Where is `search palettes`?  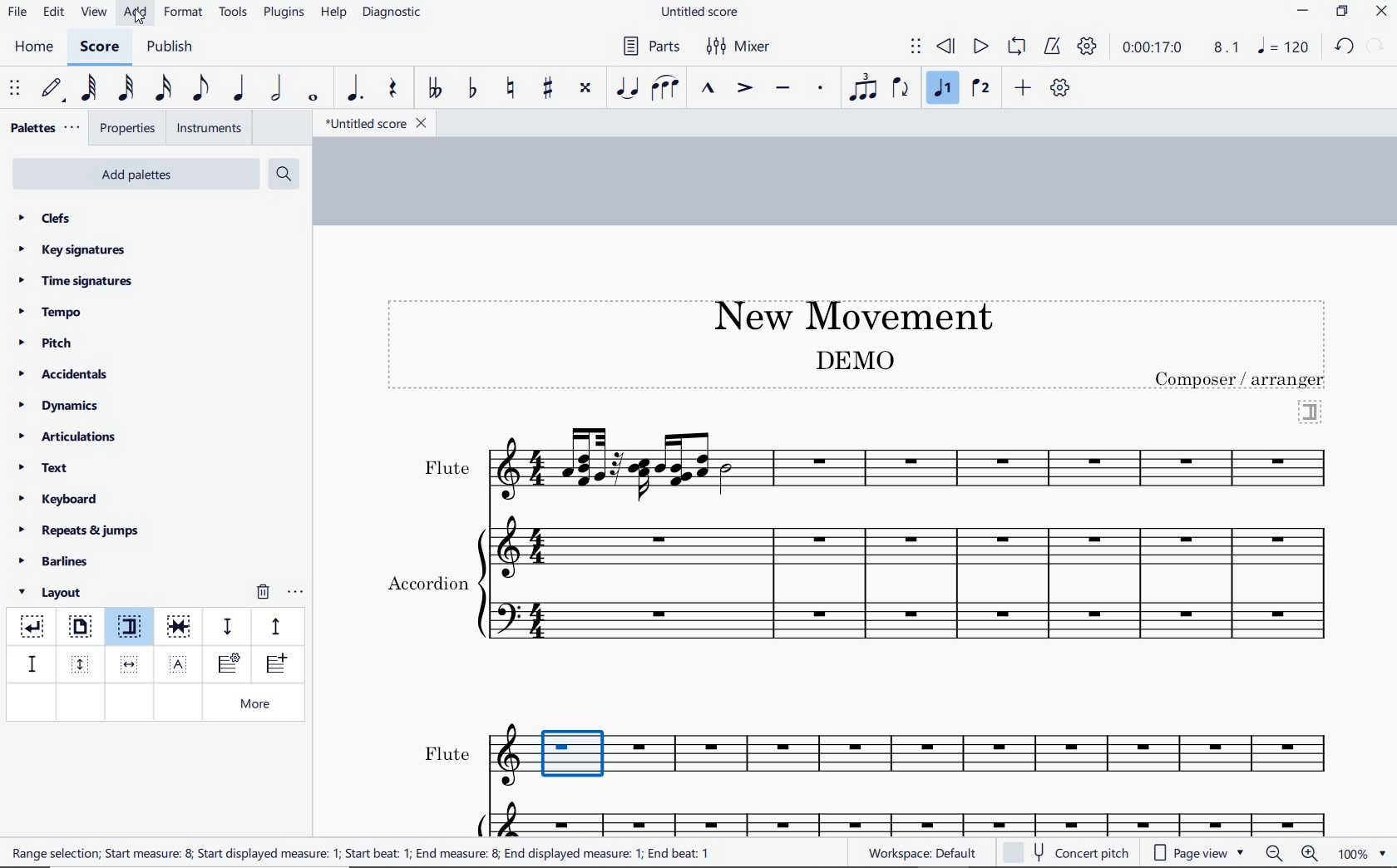
search palettes is located at coordinates (282, 175).